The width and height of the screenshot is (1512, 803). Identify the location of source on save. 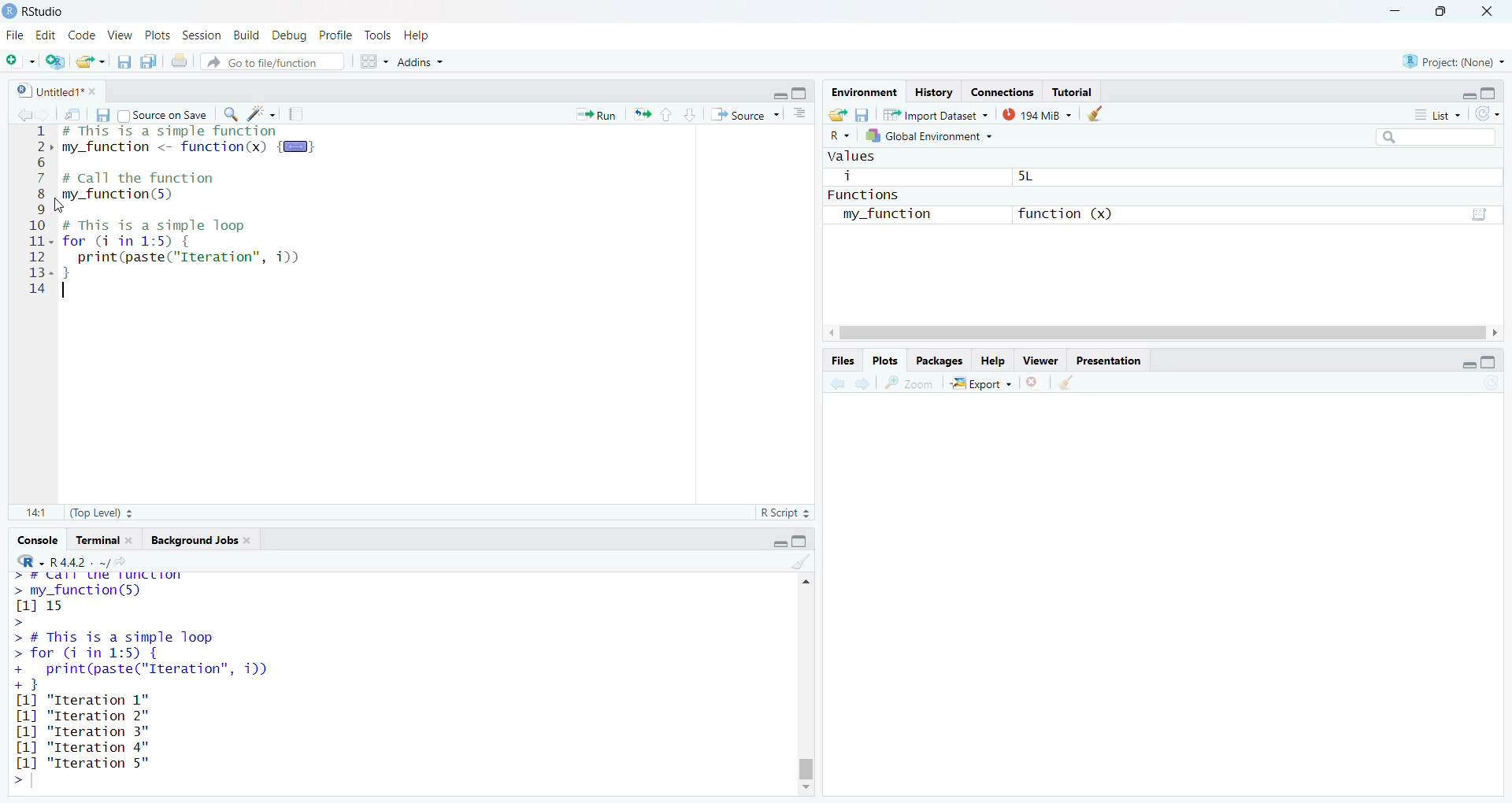
(163, 113).